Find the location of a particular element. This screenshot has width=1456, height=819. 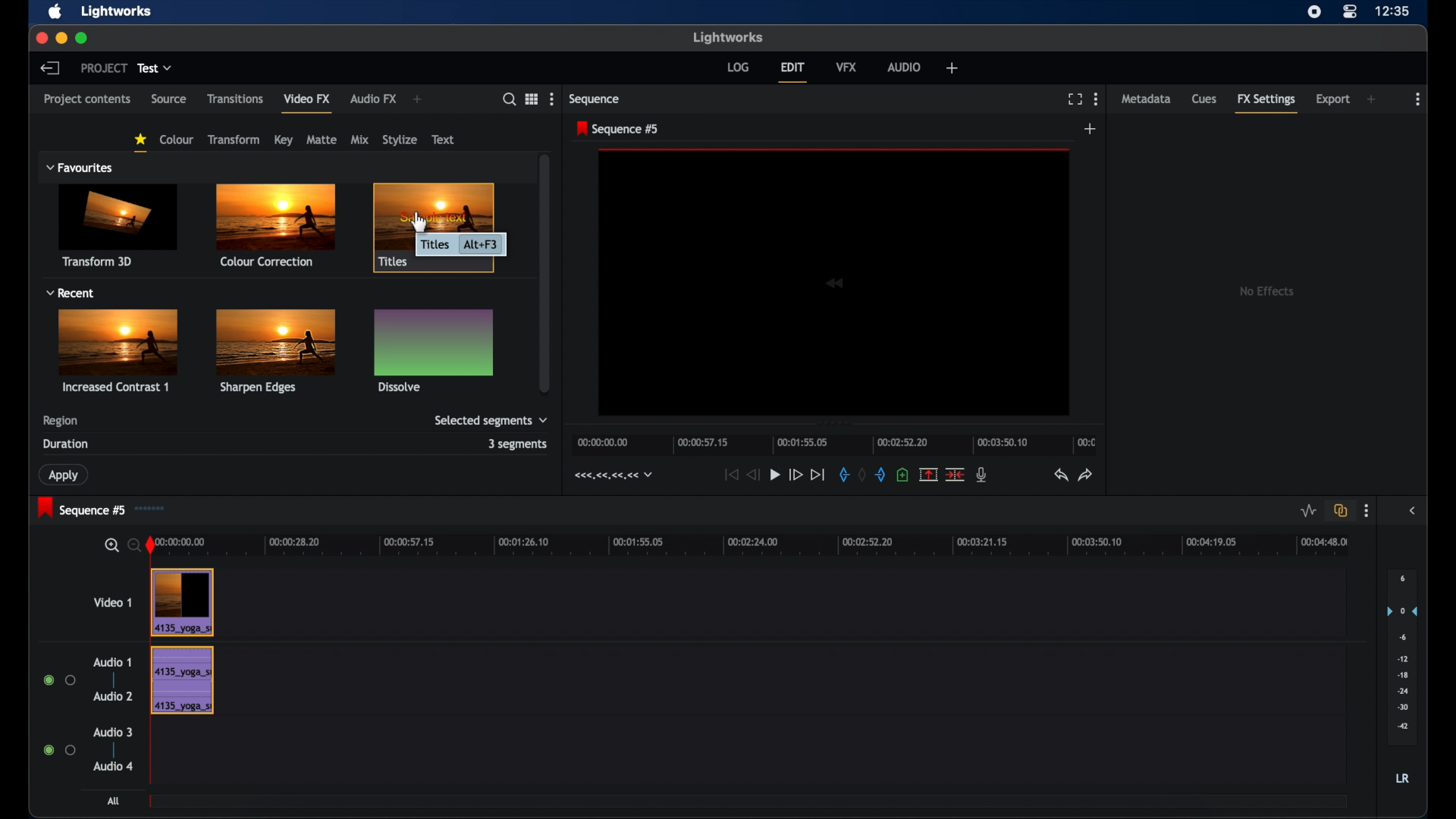

filters is located at coordinates (63, 133).